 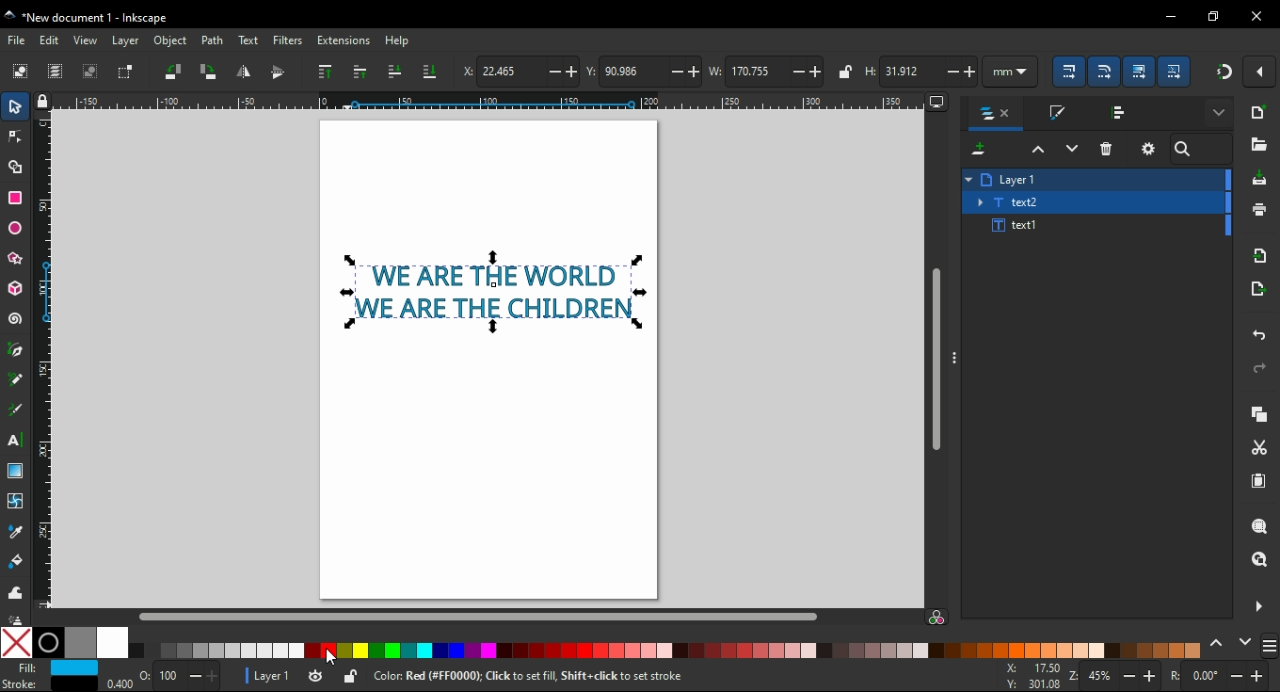 I want to click on select all, so click(x=56, y=72).